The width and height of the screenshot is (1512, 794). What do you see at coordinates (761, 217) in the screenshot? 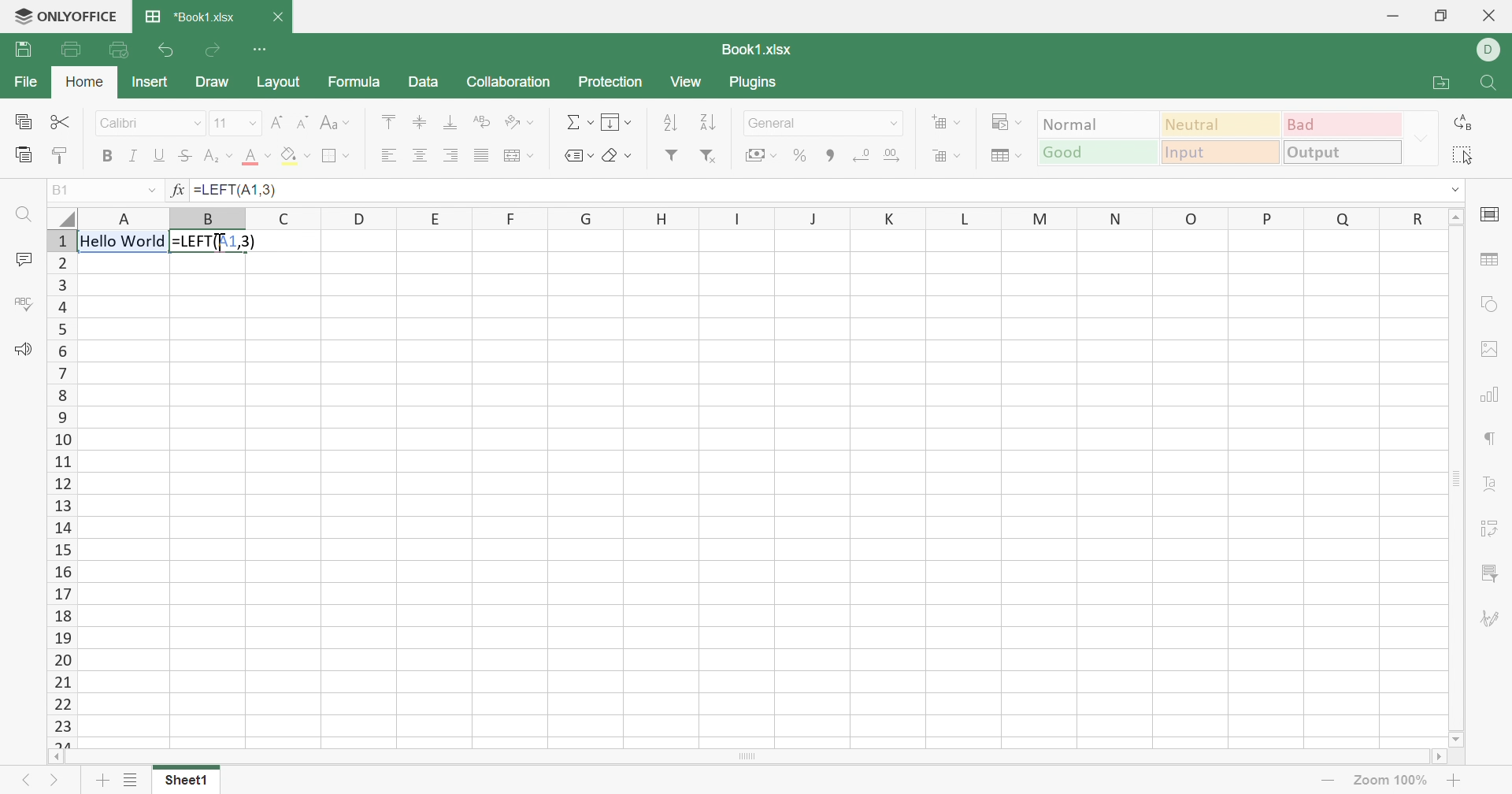
I see `Column names` at bounding box center [761, 217].